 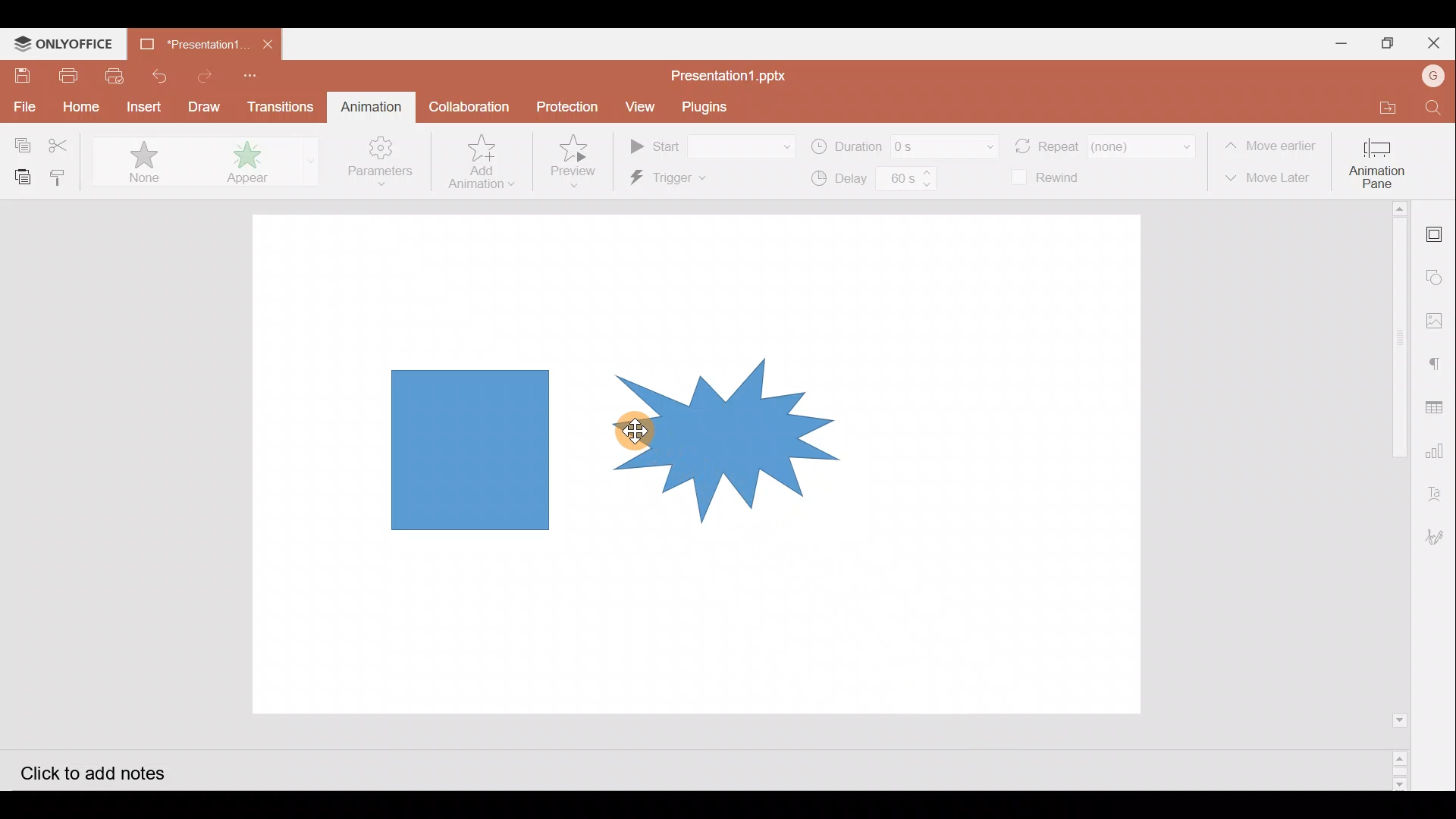 I want to click on ONLYOFFICE, so click(x=67, y=44).